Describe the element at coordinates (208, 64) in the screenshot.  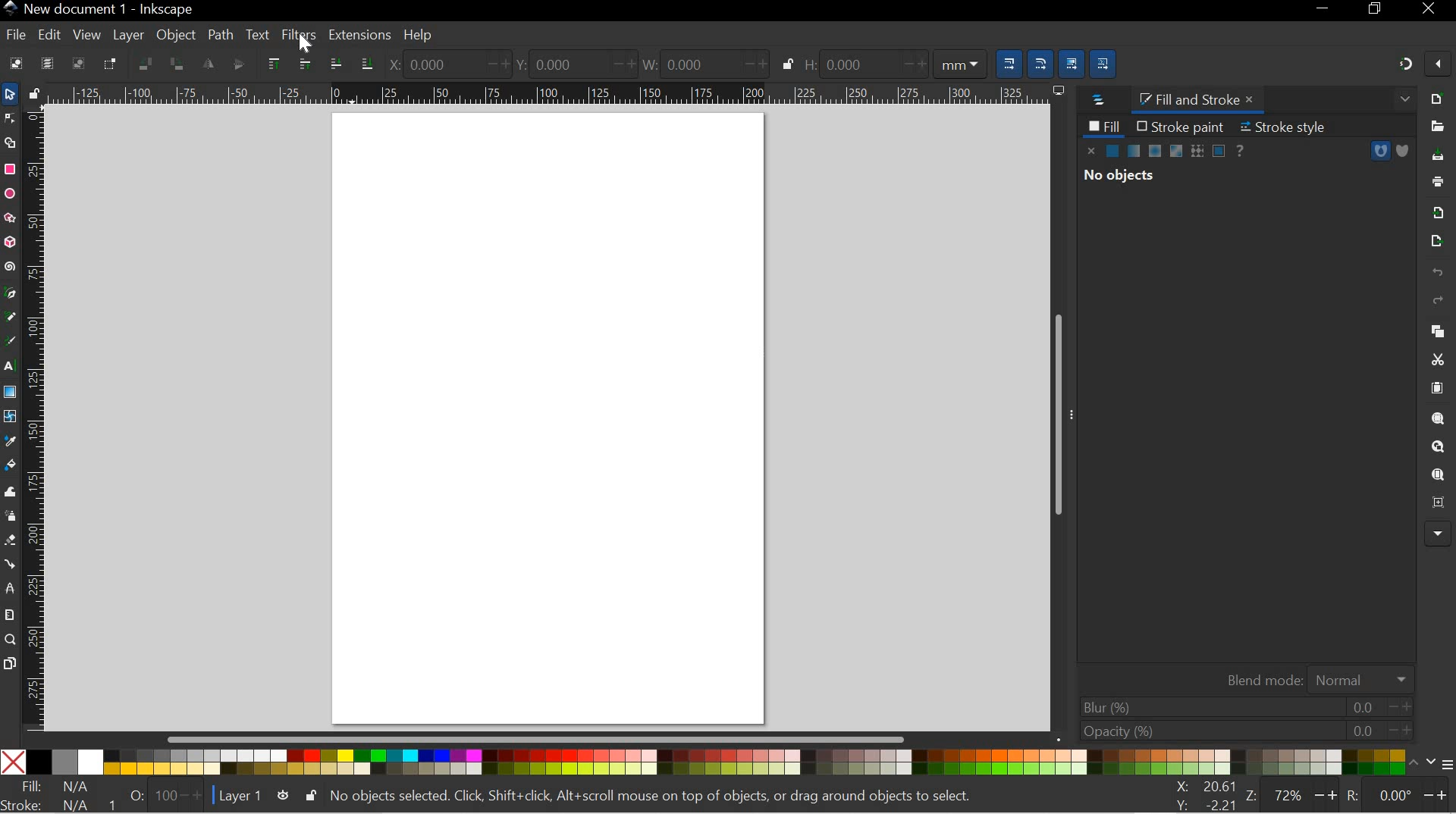
I see `OBJECT FLIP HORIZONTAL` at that location.